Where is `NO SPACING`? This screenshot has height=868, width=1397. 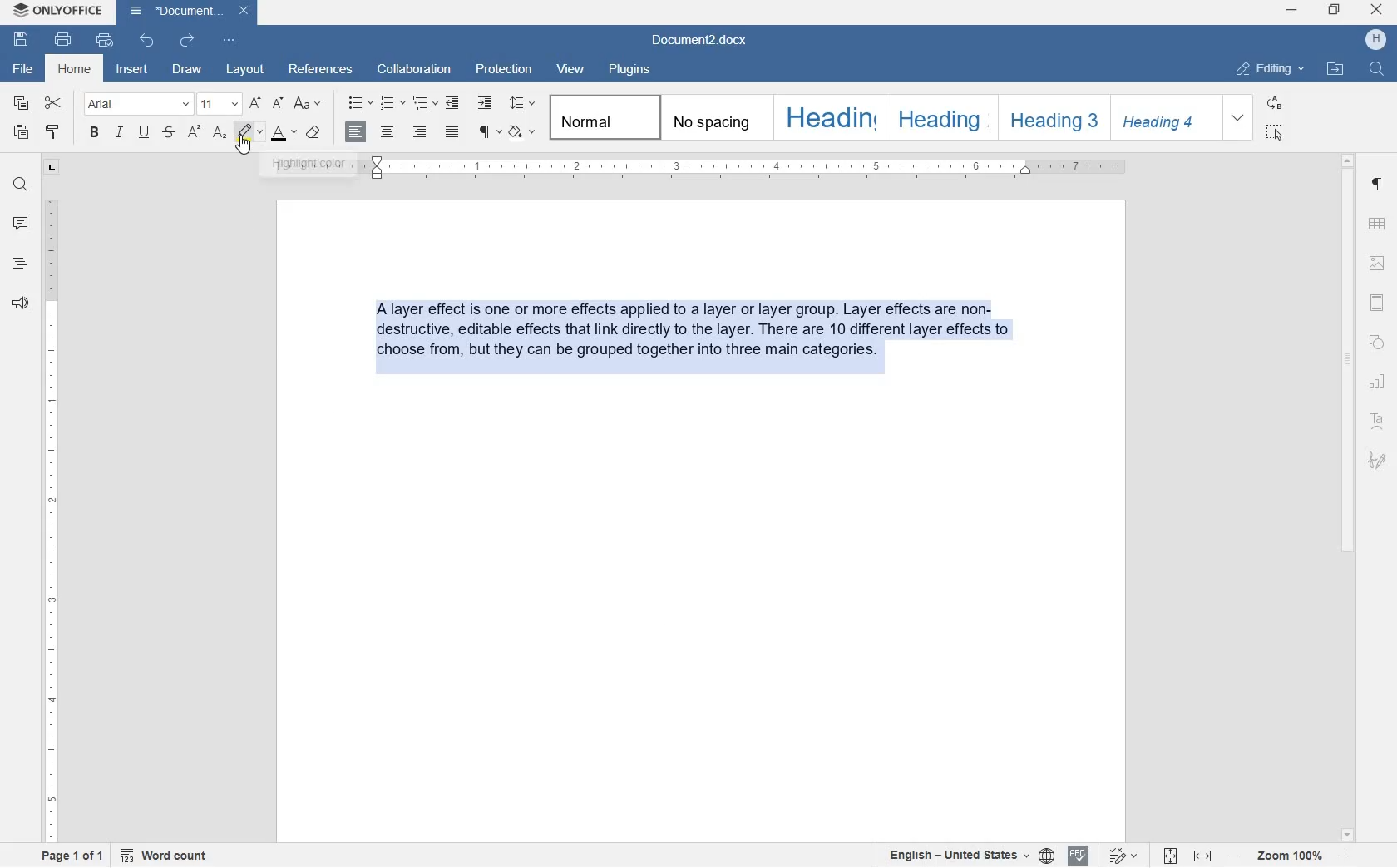
NO SPACING is located at coordinates (713, 118).